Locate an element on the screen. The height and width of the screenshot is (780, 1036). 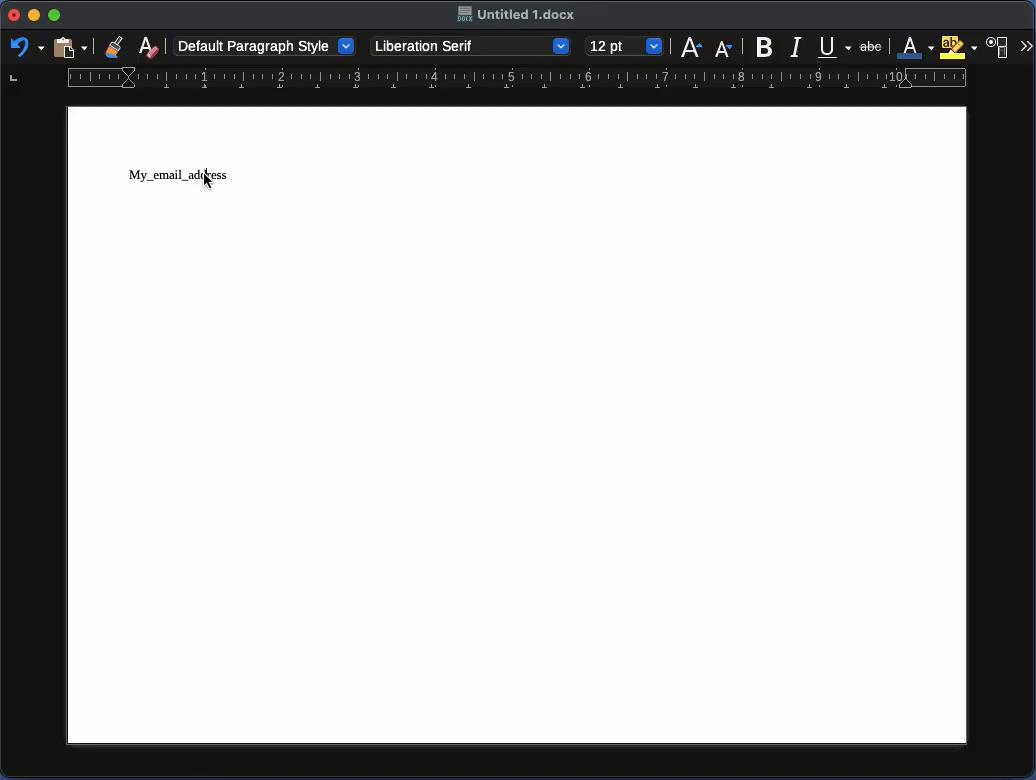
abc is located at coordinates (874, 47).